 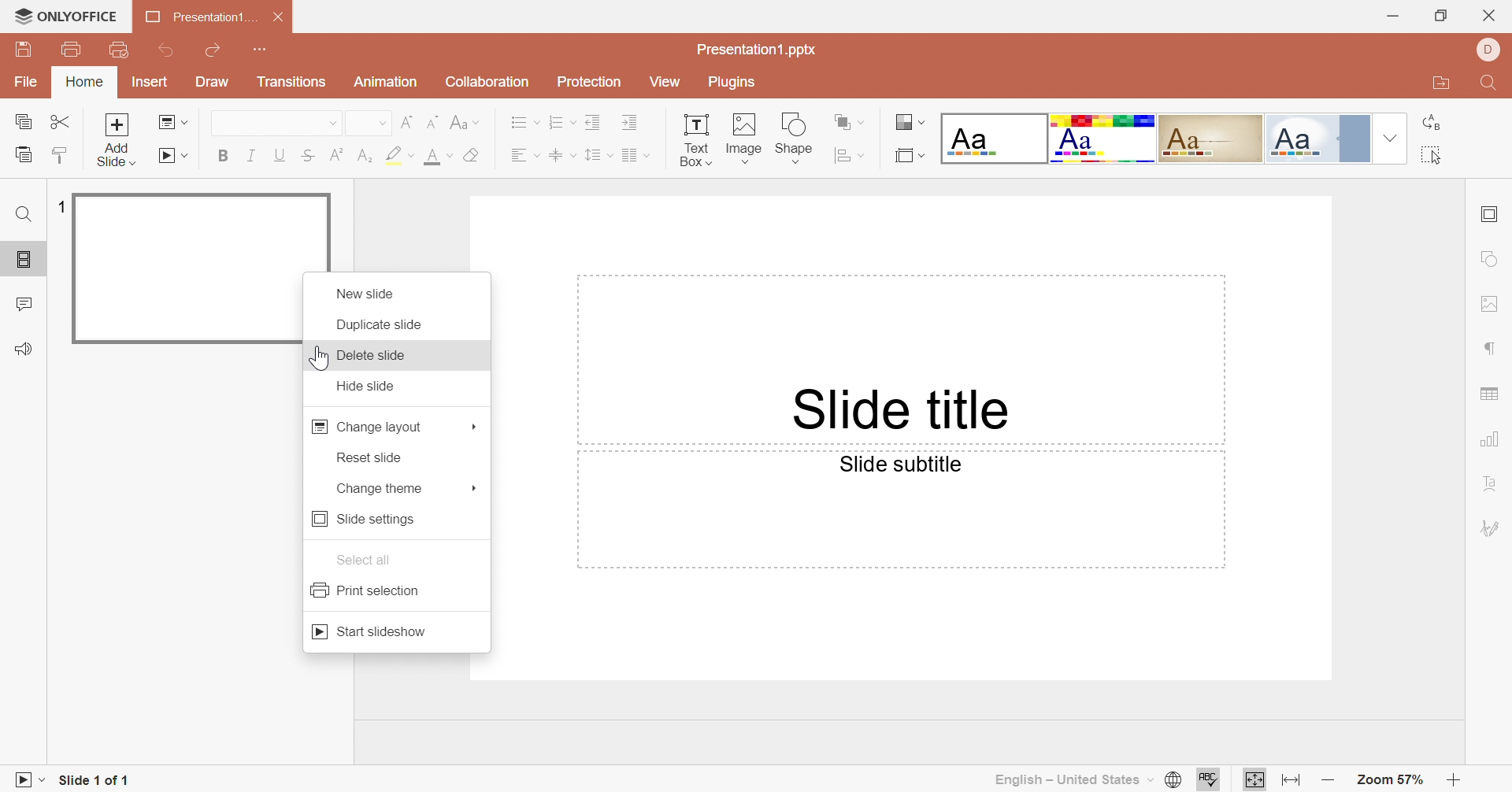 What do you see at coordinates (1064, 781) in the screenshot?
I see `English - United States` at bounding box center [1064, 781].